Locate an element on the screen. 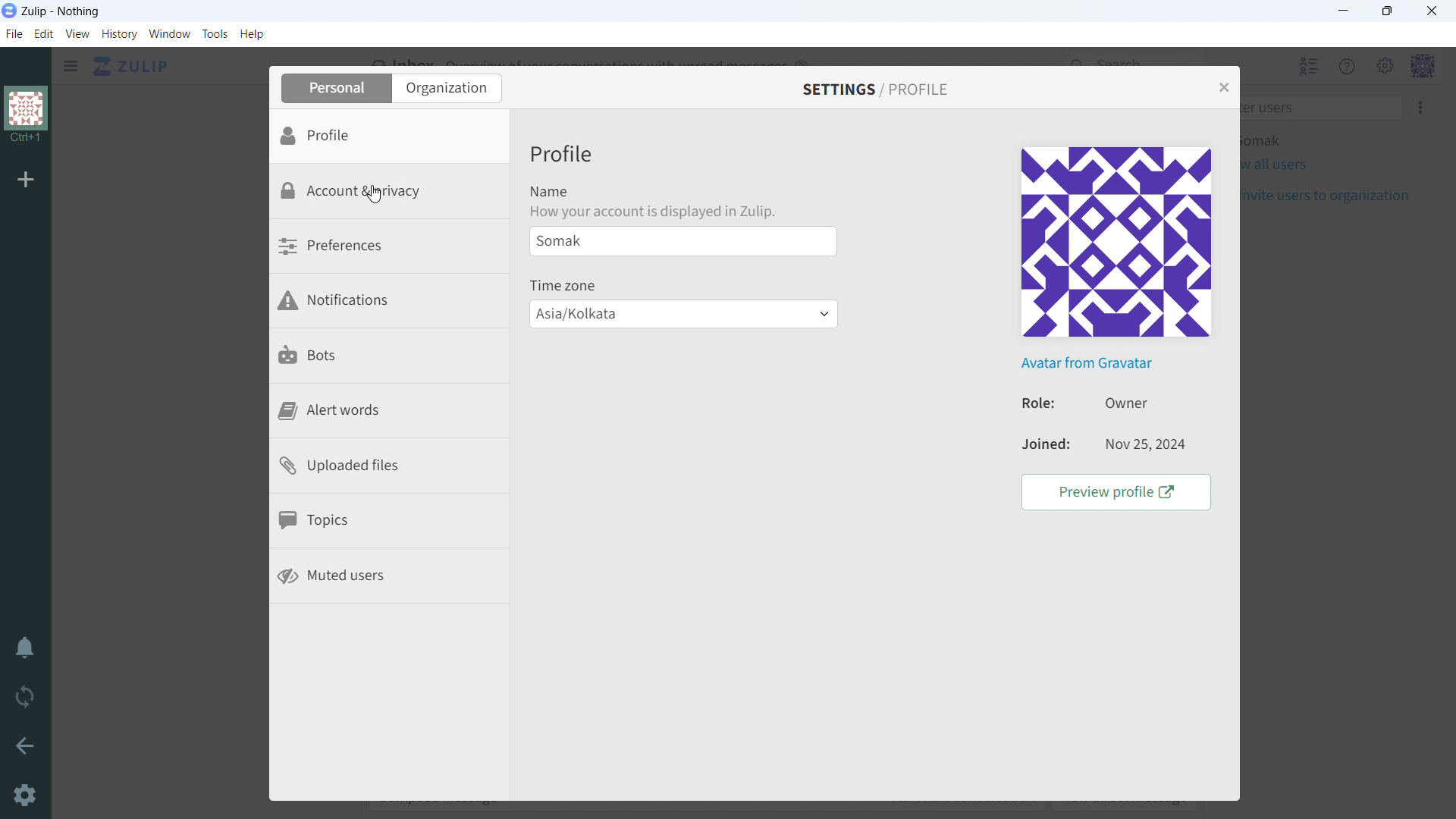 The width and height of the screenshot is (1456, 819). alert words is located at coordinates (391, 413).